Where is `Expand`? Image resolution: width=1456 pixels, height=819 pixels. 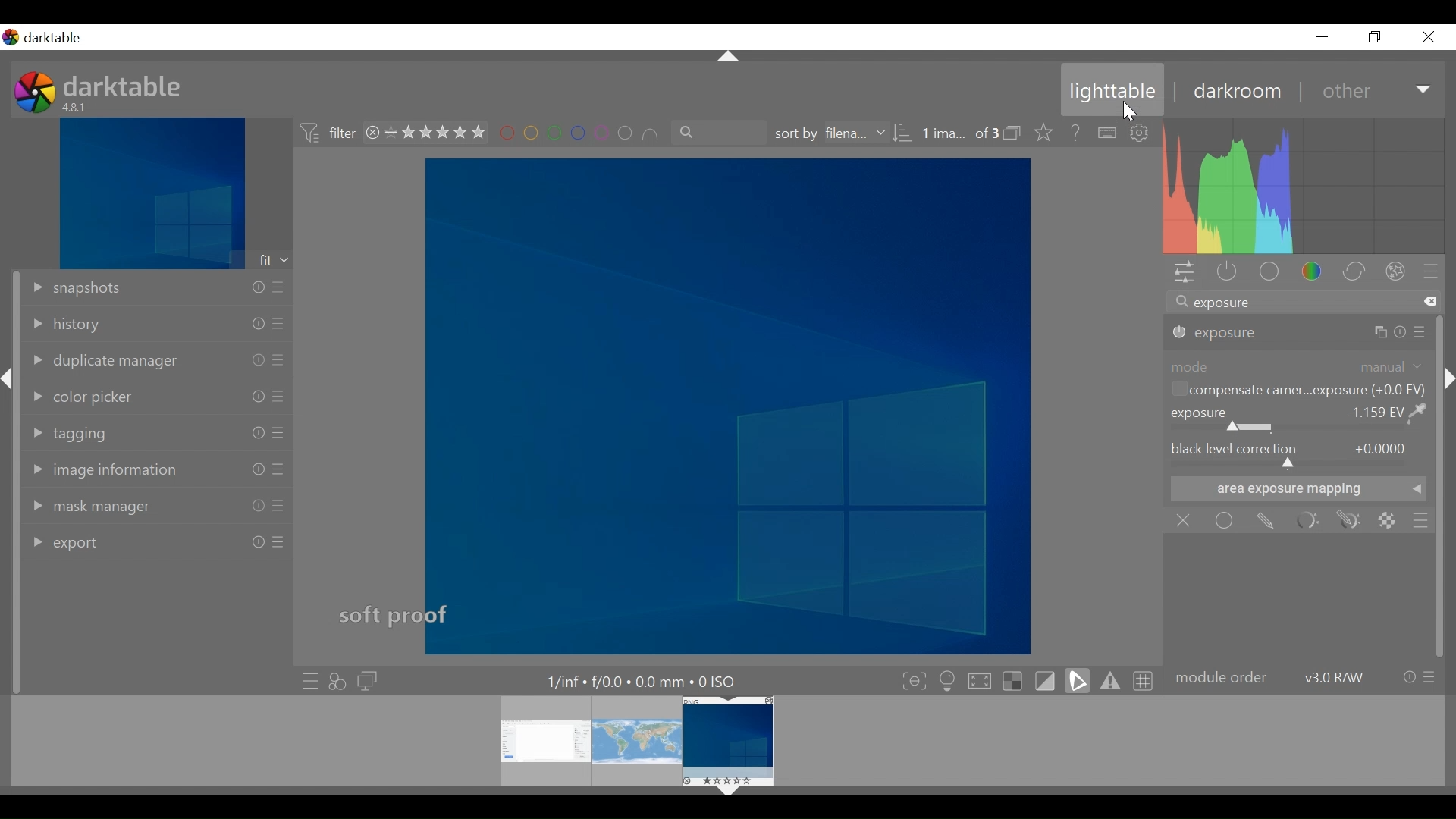
Expand is located at coordinates (1425, 91).